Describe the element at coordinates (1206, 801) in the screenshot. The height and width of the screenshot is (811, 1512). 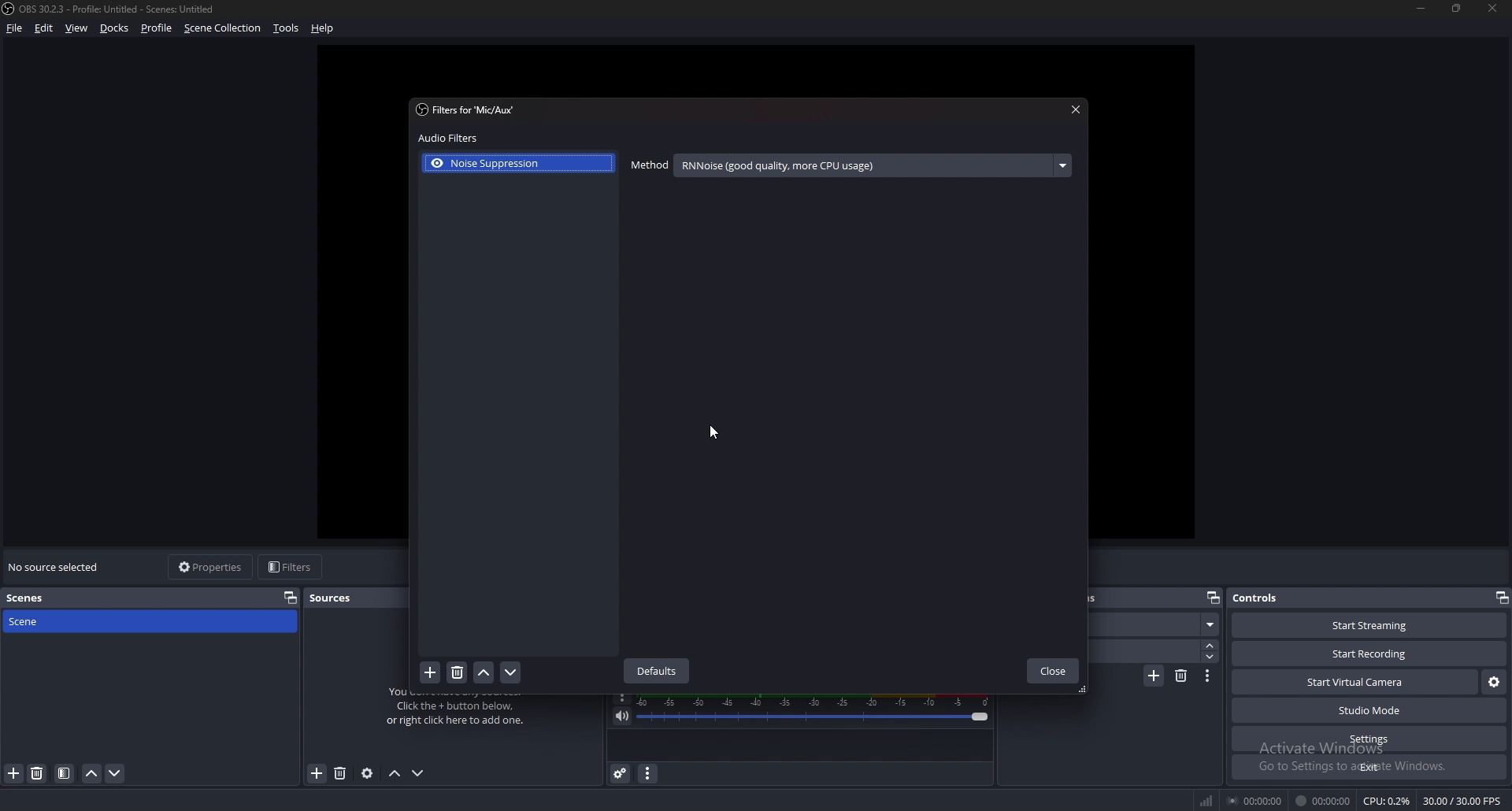
I see `network` at that location.